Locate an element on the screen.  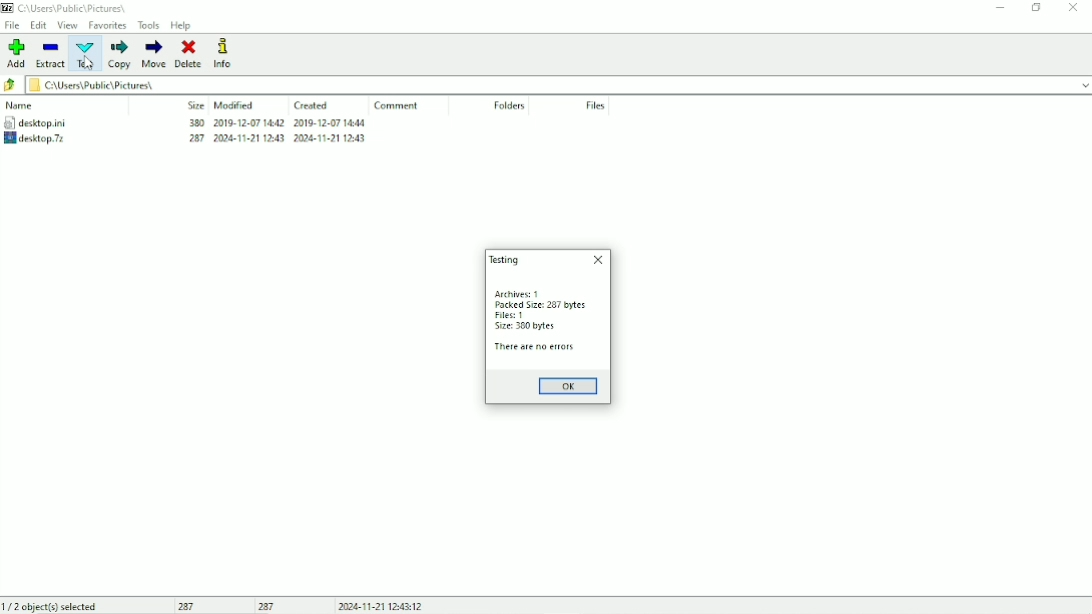
 2008-11-21 1243 is located at coordinates (246, 138).